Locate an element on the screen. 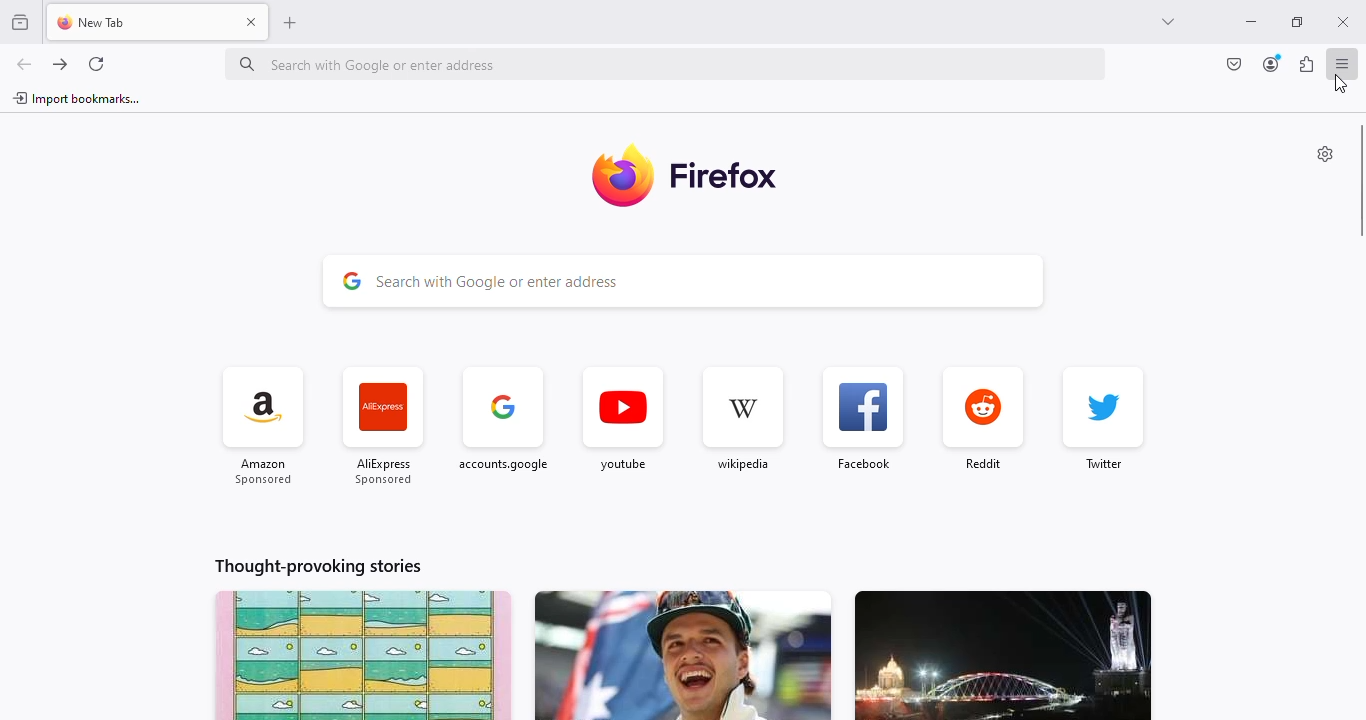 This screenshot has height=720, width=1366. go forward  one page is located at coordinates (61, 64).